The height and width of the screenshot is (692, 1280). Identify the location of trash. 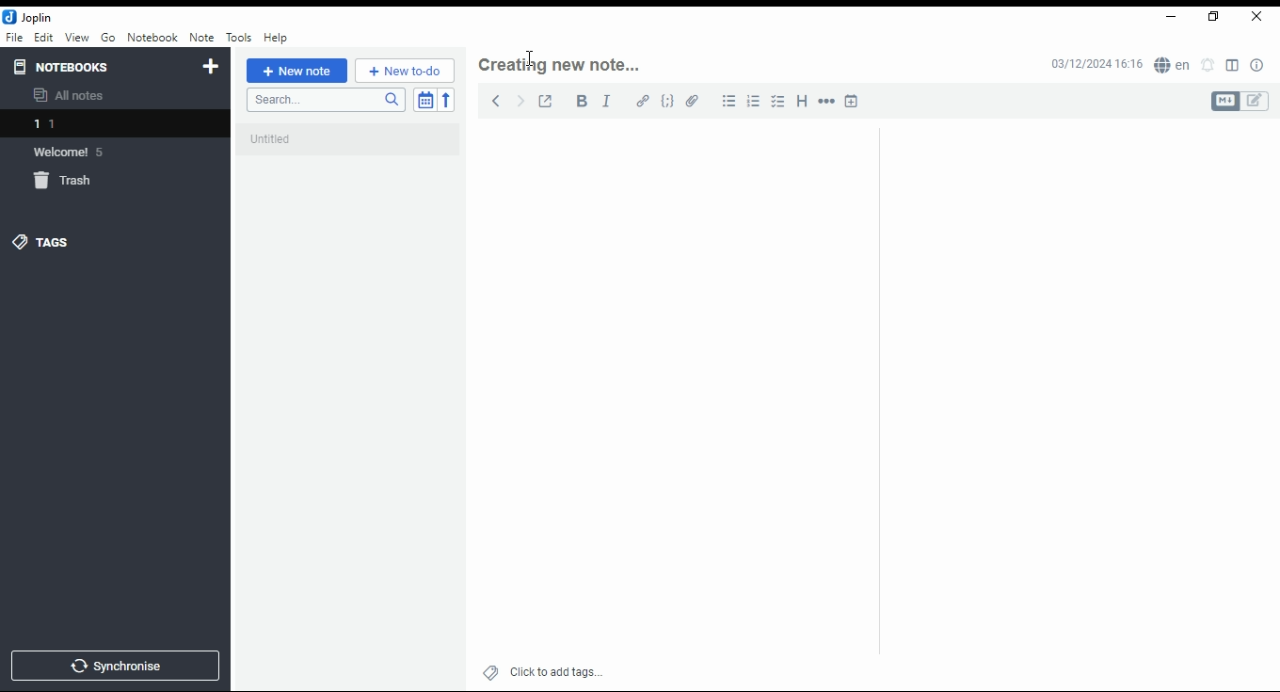
(74, 184).